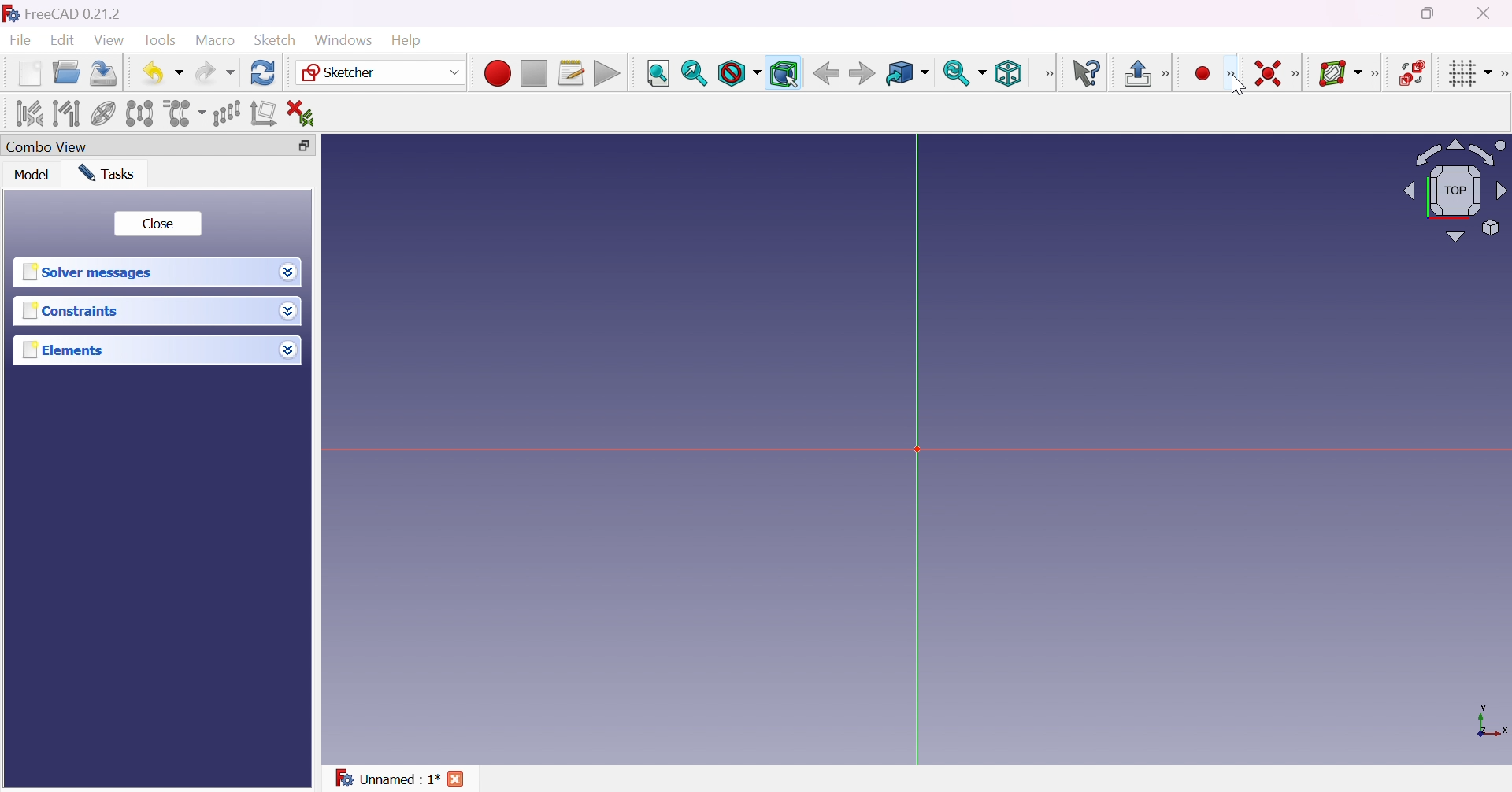  I want to click on Undo, so click(162, 74).